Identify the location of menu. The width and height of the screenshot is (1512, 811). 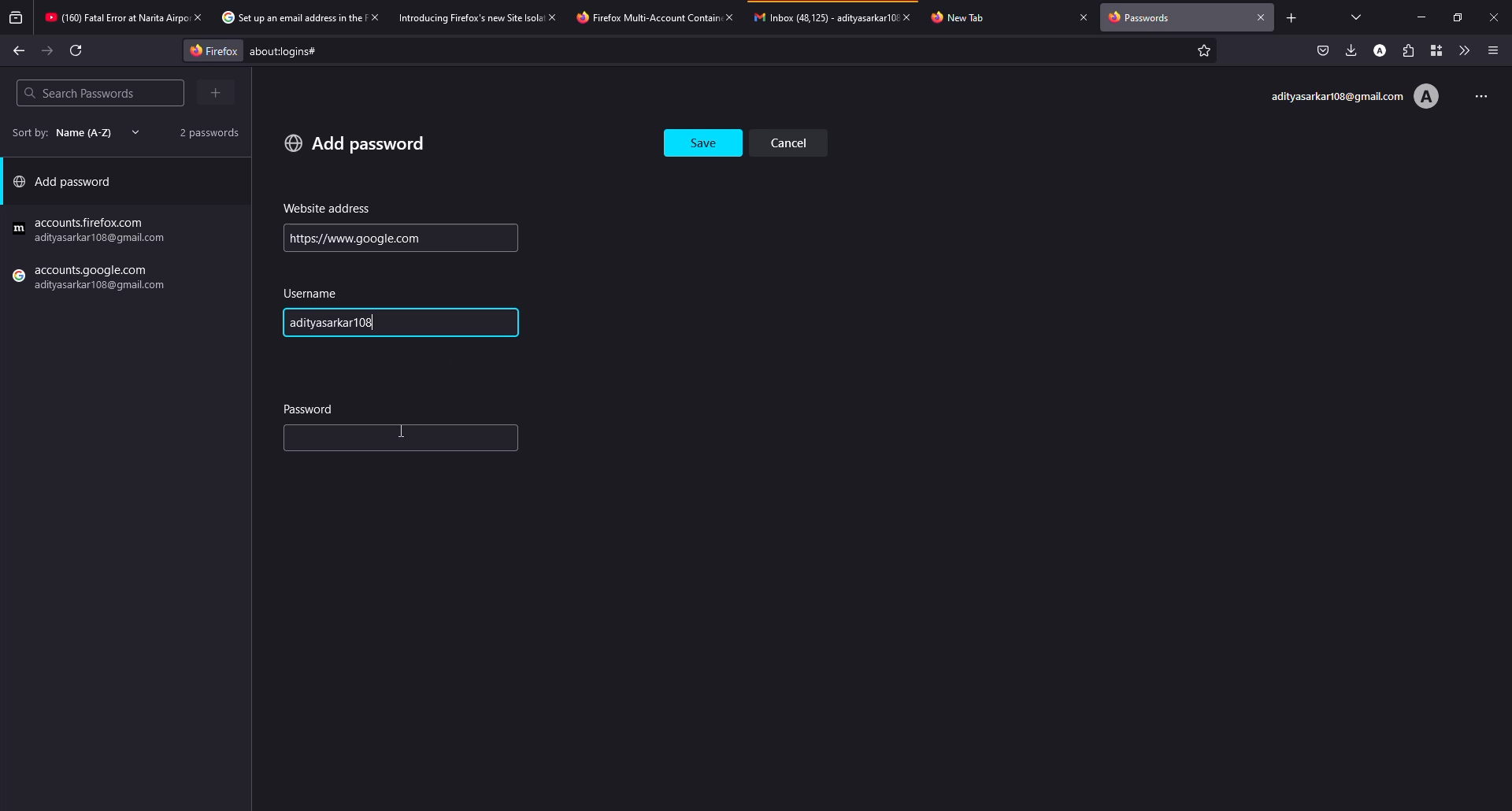
(1493, 50).